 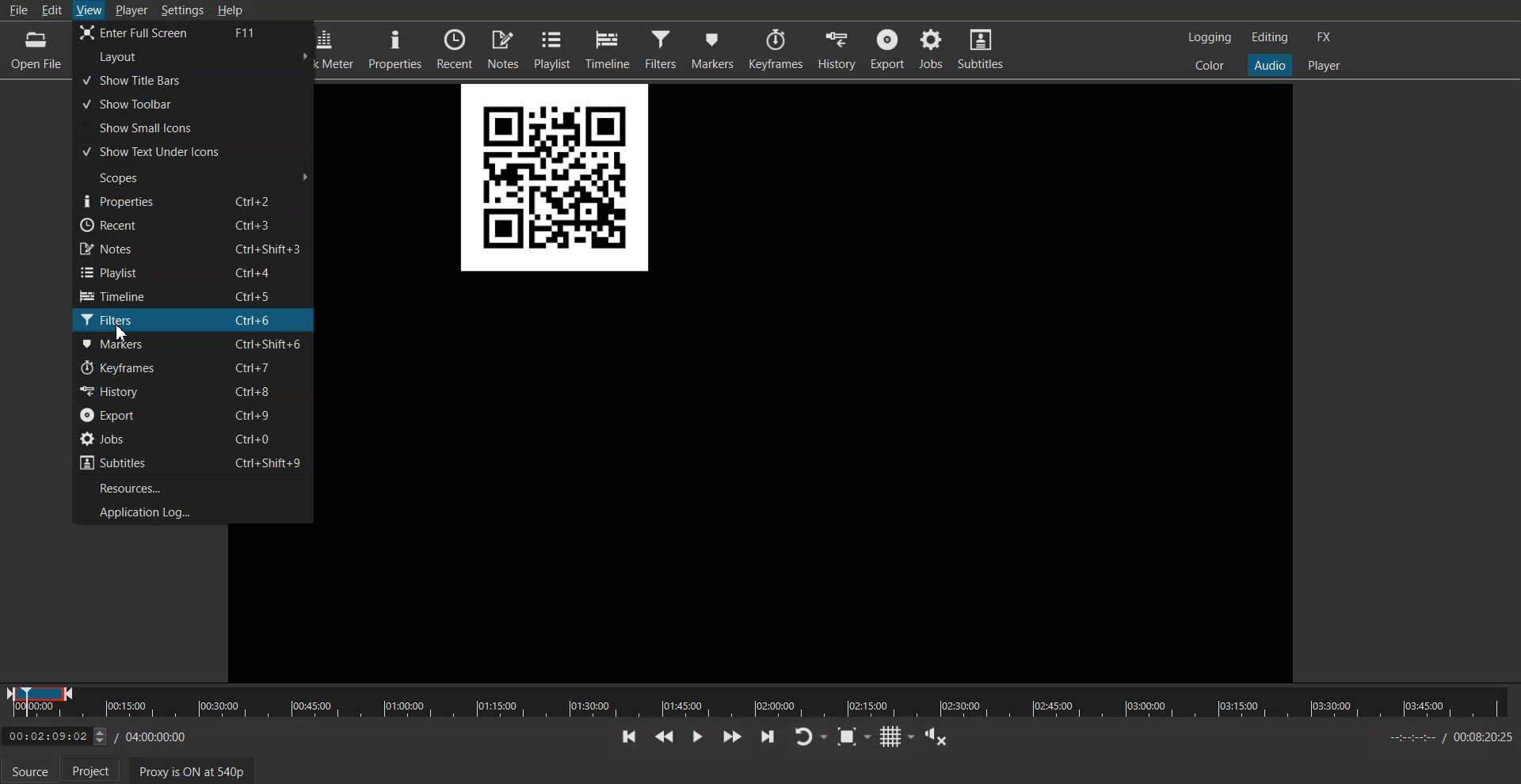 I want to click on Show the volume control, so click(x=938, y=736).